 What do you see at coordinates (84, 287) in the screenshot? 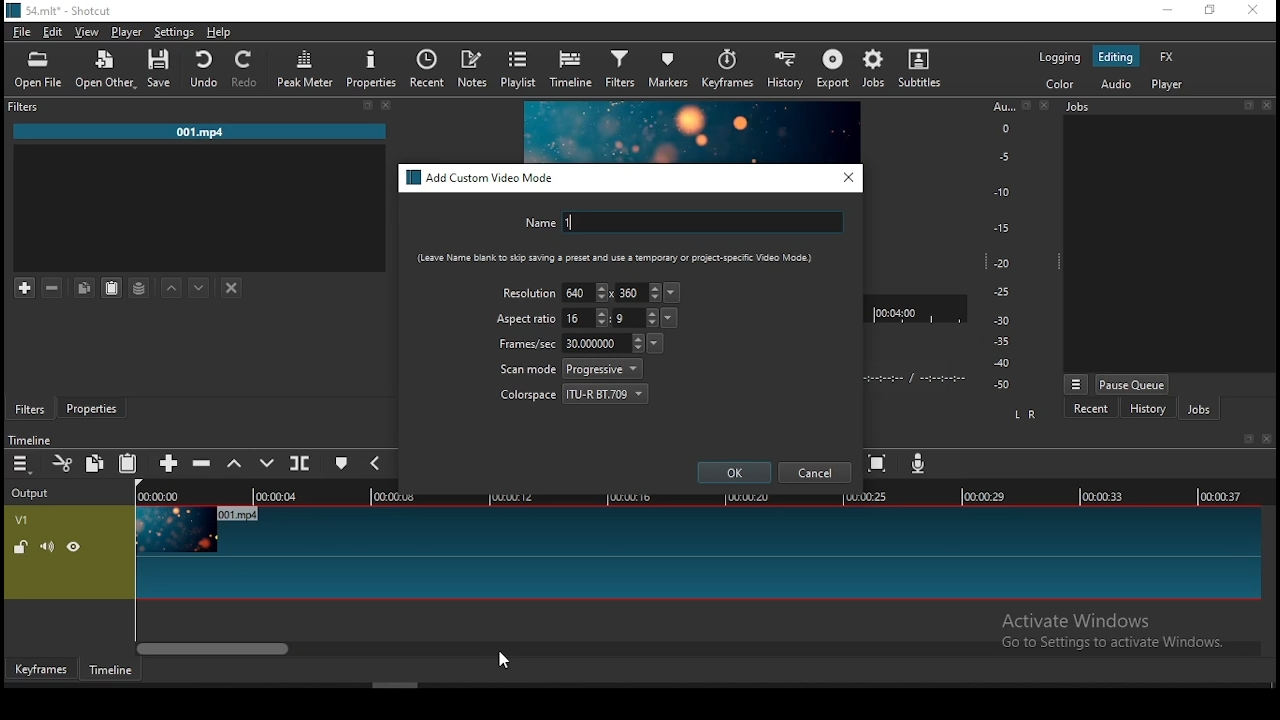
I see `copy` at bounding box center [84, 287].